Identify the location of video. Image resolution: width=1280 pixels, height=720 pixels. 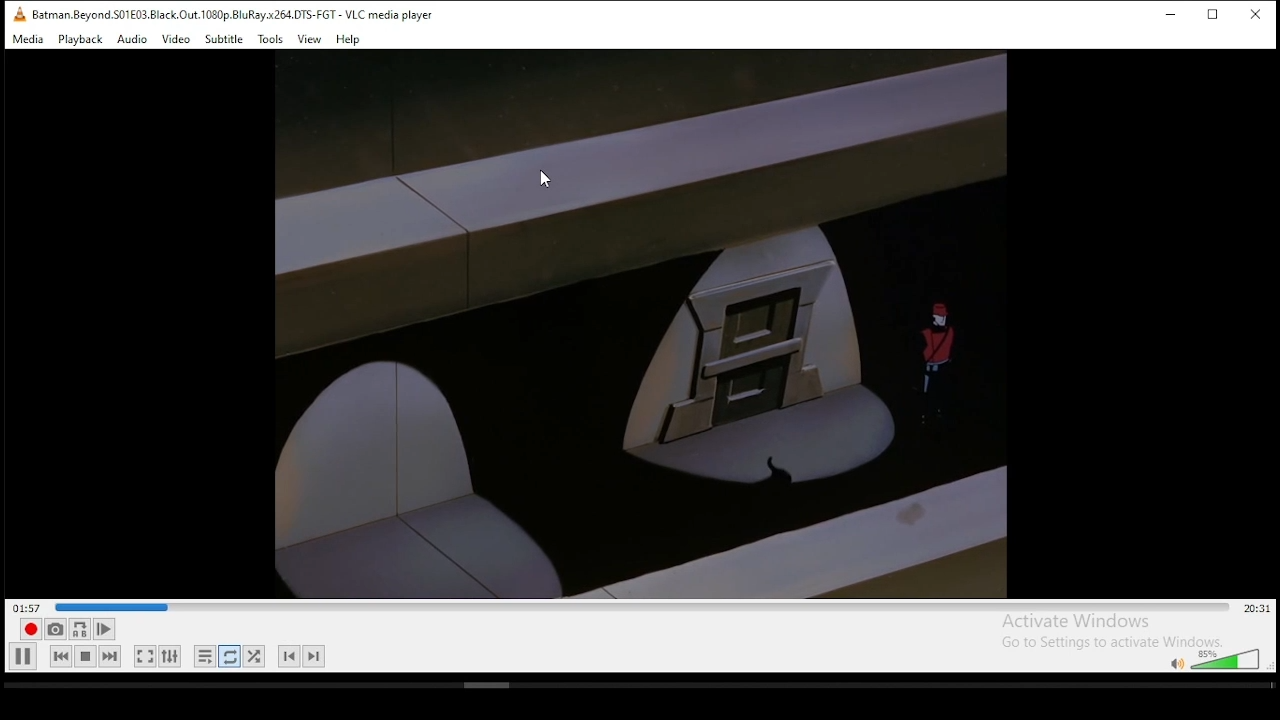
(176, 39).